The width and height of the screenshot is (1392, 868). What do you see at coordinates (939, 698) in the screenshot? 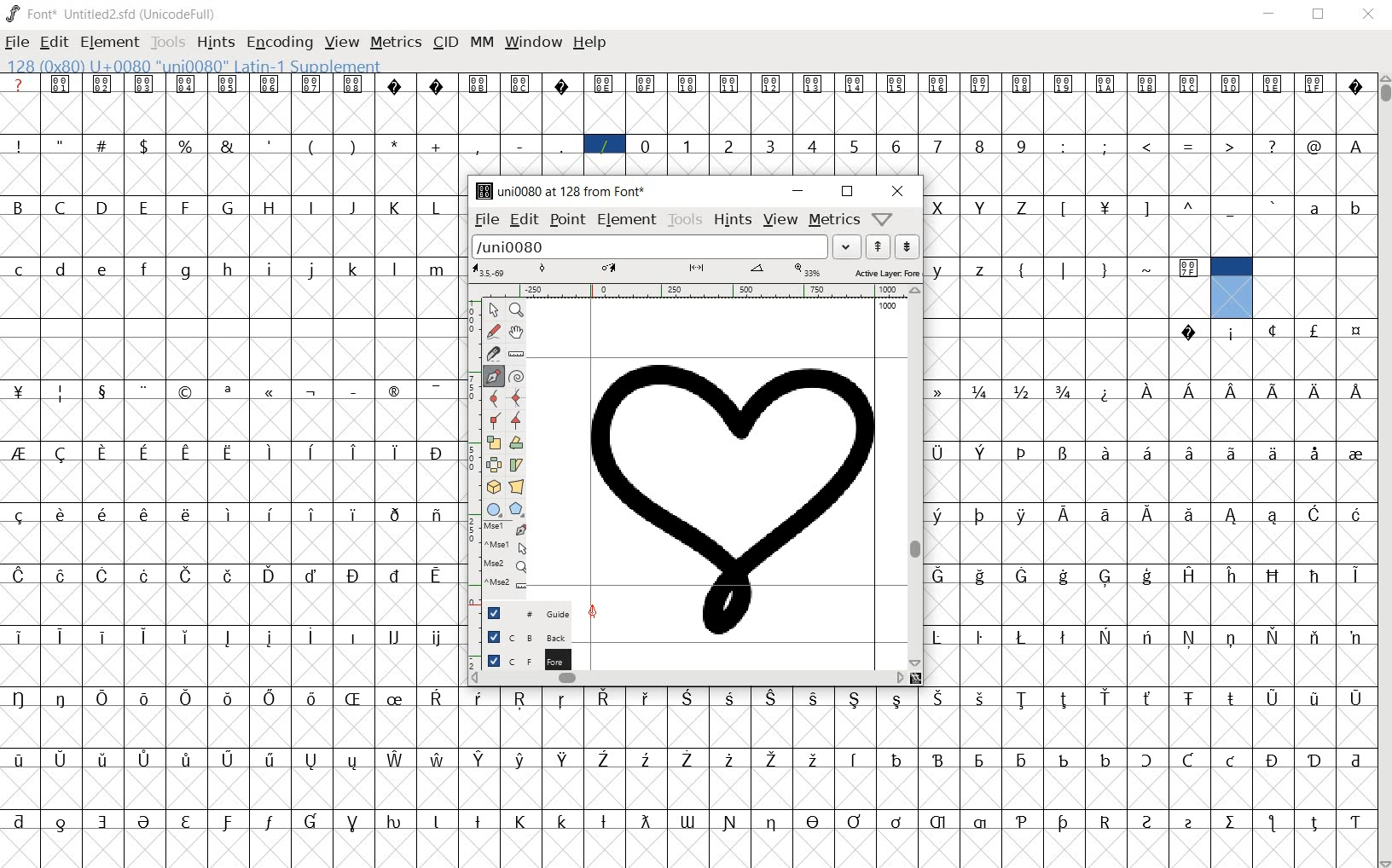
I see `glyph` at bounding box center [939, 698].